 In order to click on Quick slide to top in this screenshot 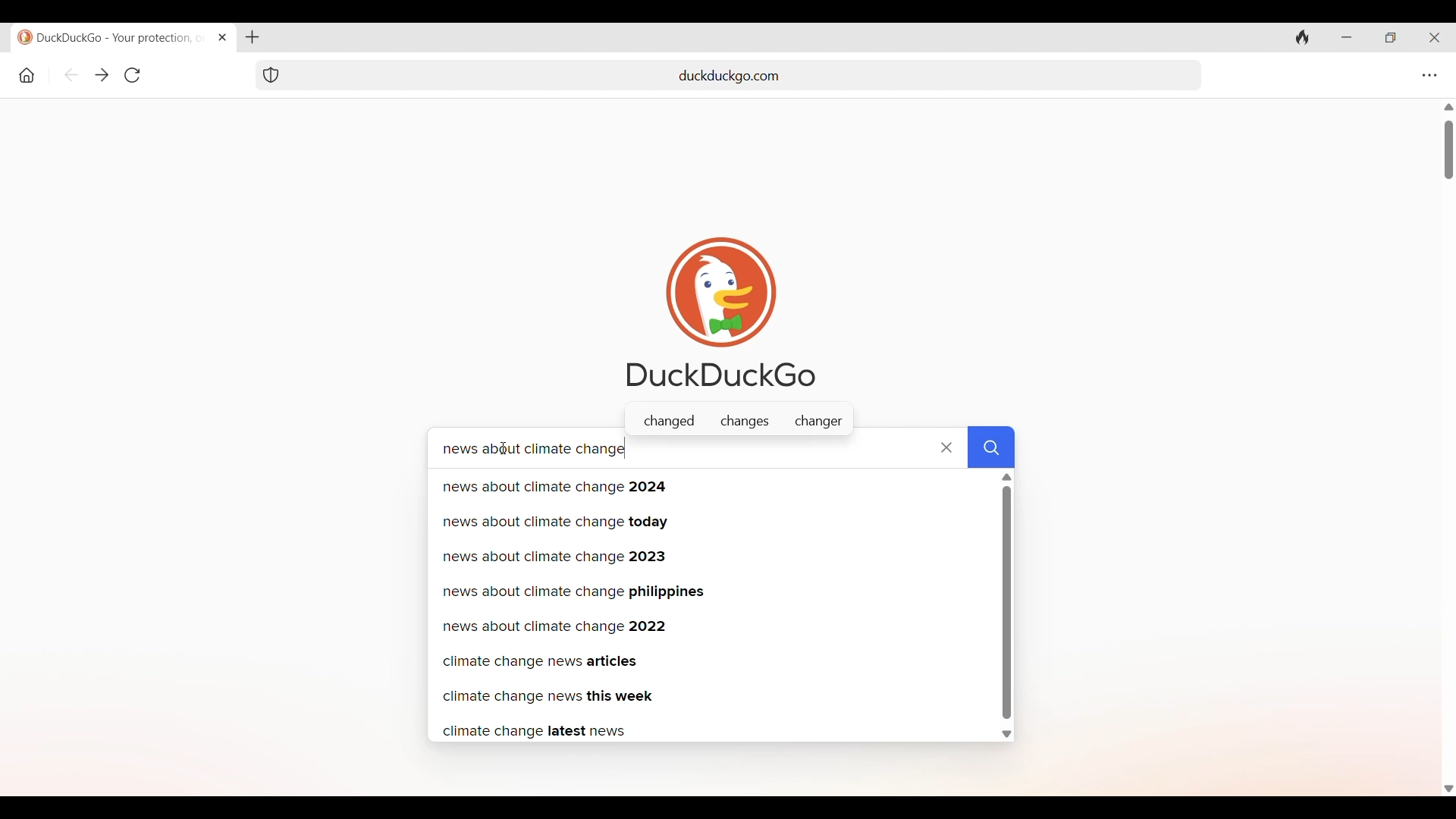, I will do `click(1006, 478)`.